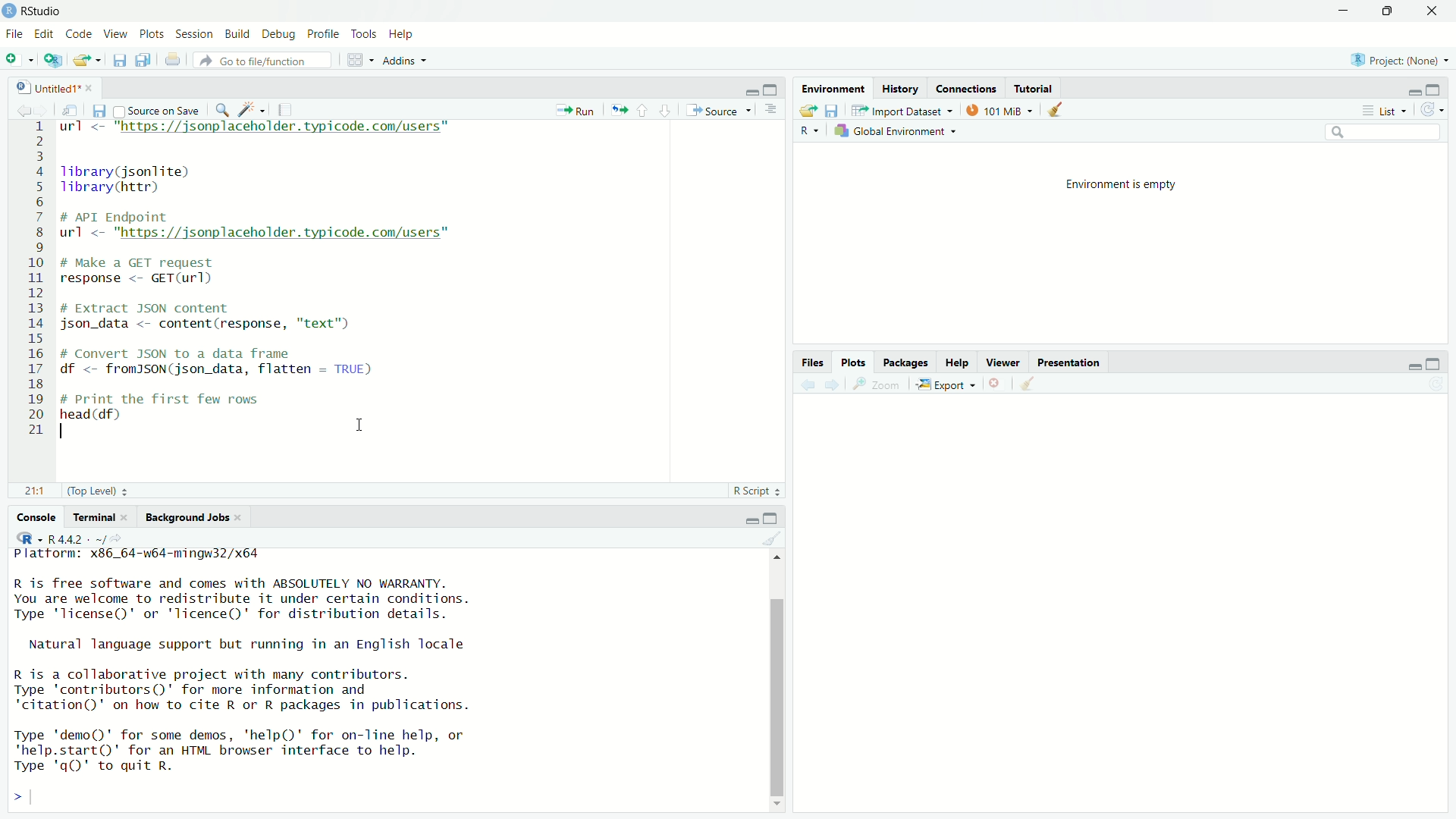 This screenshot has height=819, width=1456. I want to click on Close, so click(1434, 11).